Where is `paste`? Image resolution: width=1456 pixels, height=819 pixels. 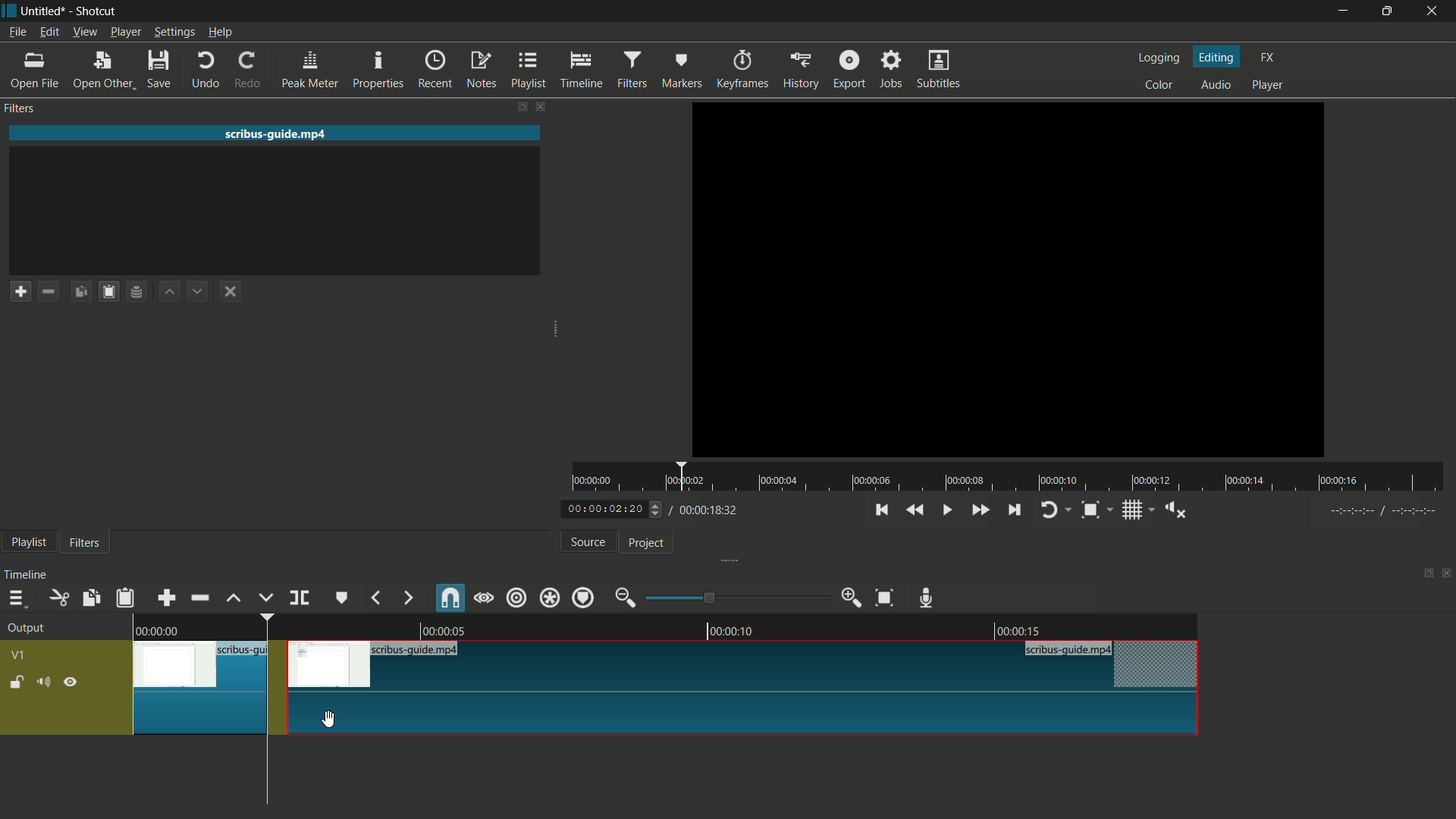
paste is located at coordinates (124, 600).